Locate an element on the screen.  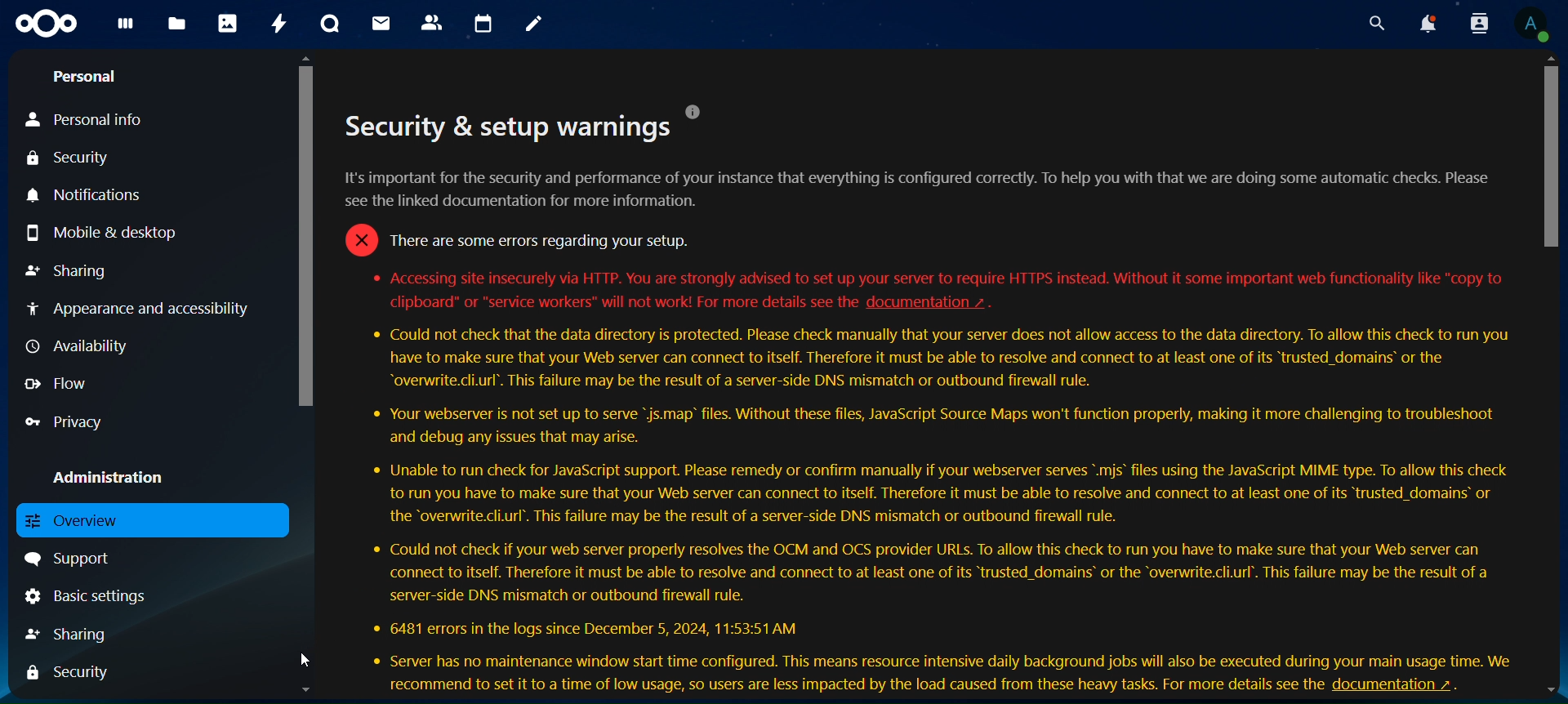
text is located at coordinates (501, 131).